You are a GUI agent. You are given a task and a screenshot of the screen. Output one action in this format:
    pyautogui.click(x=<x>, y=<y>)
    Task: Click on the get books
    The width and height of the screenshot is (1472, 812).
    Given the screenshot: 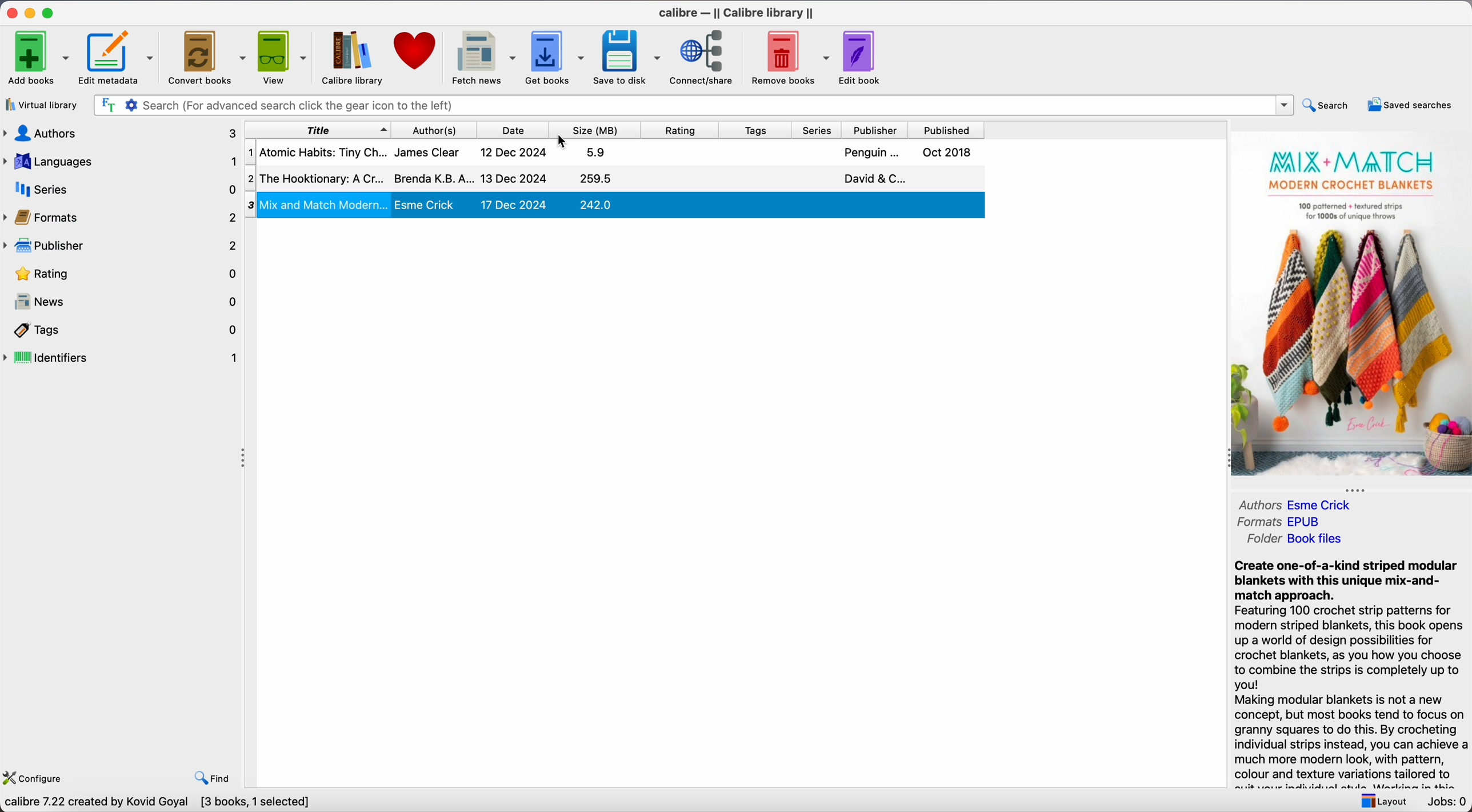 What is the action you would take?
    pyautogui.click(x=557, y=57)
    